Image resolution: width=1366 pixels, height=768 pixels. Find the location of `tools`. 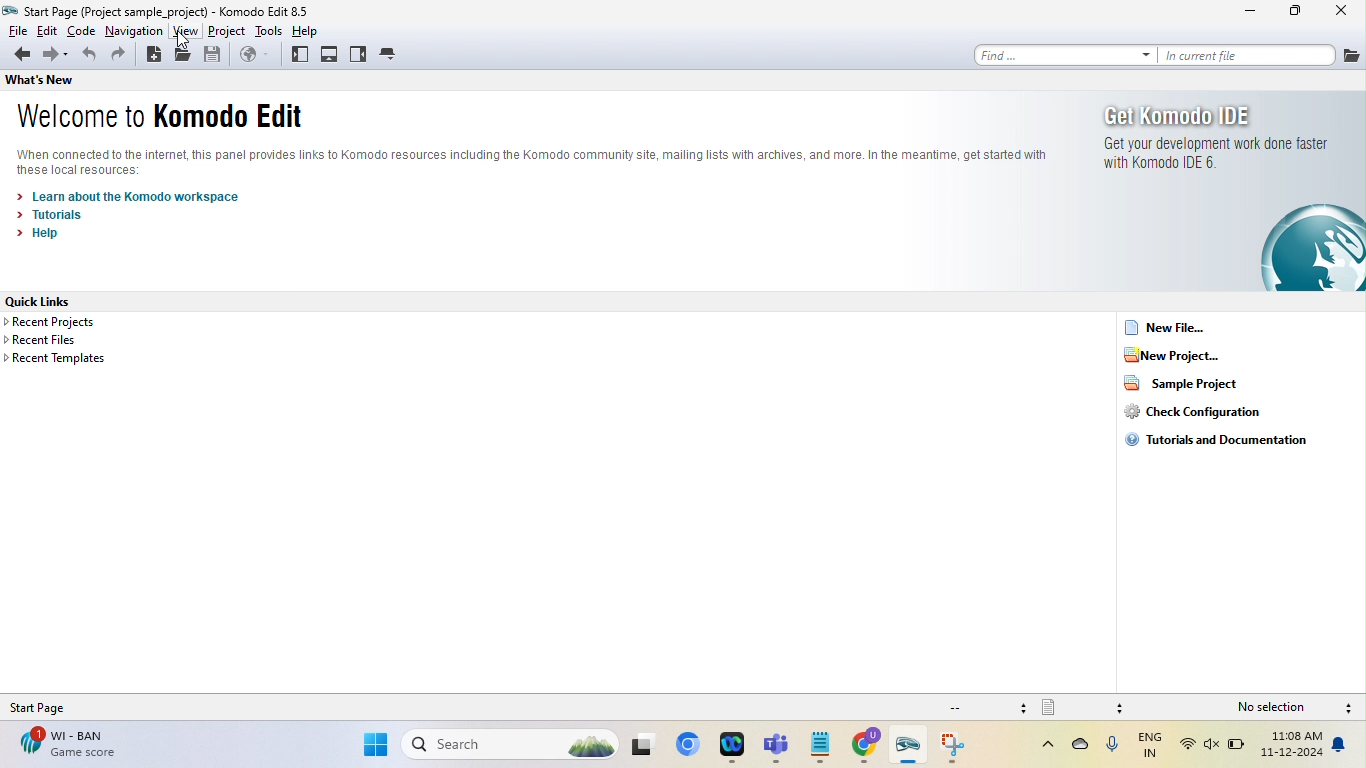

tools is located at coordinates (269, 31).